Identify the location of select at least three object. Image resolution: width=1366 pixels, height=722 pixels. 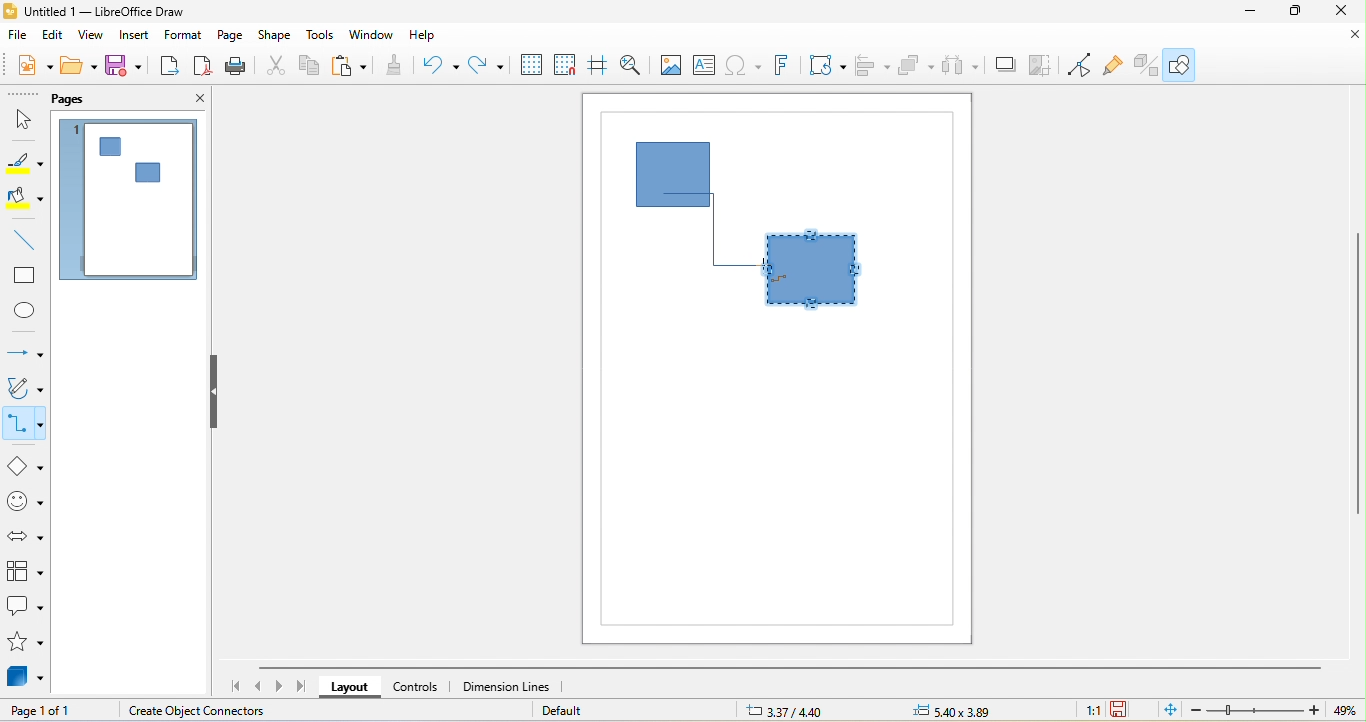
(962, 67).